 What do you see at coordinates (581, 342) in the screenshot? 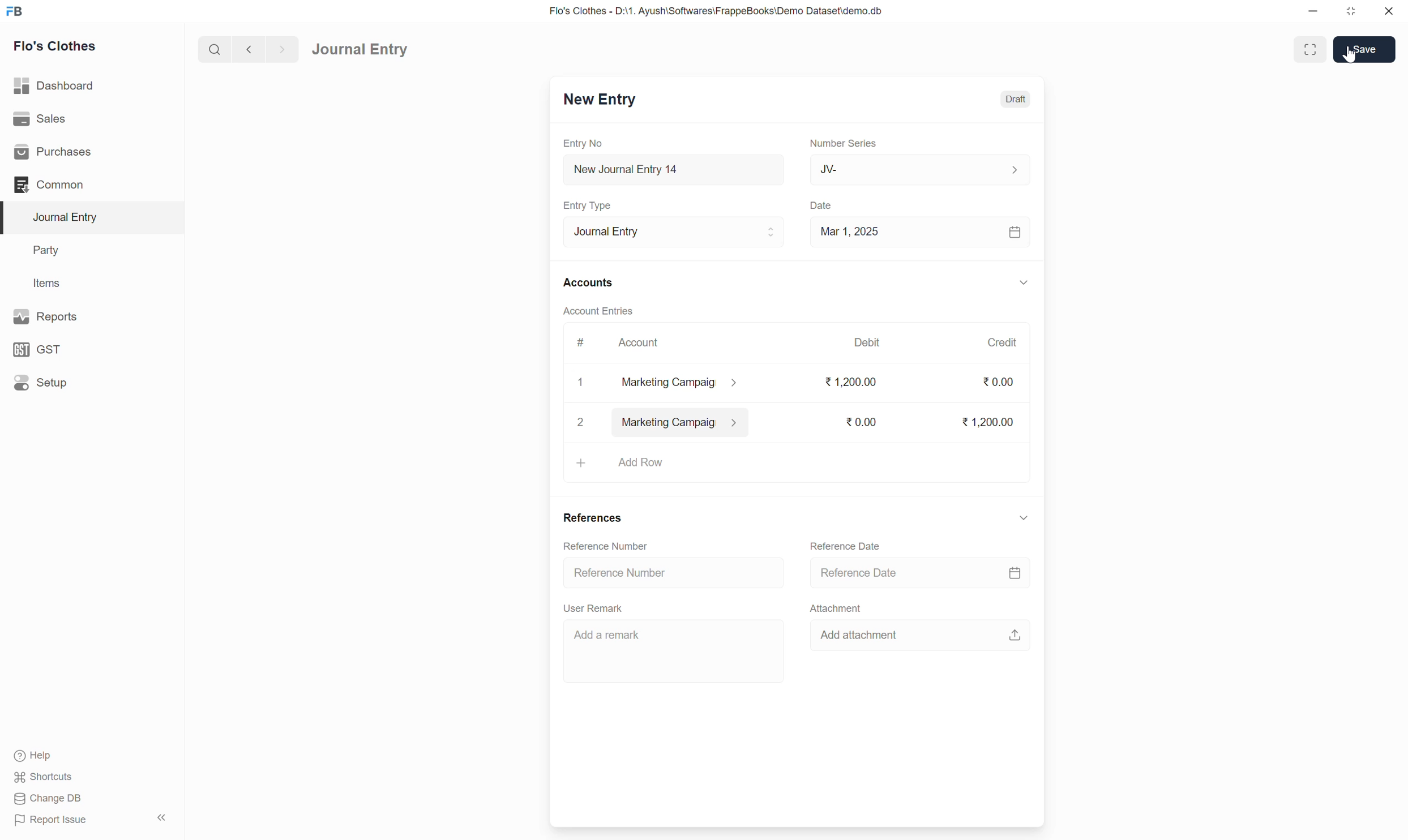
I see `#` at bounding box center [581, 342].